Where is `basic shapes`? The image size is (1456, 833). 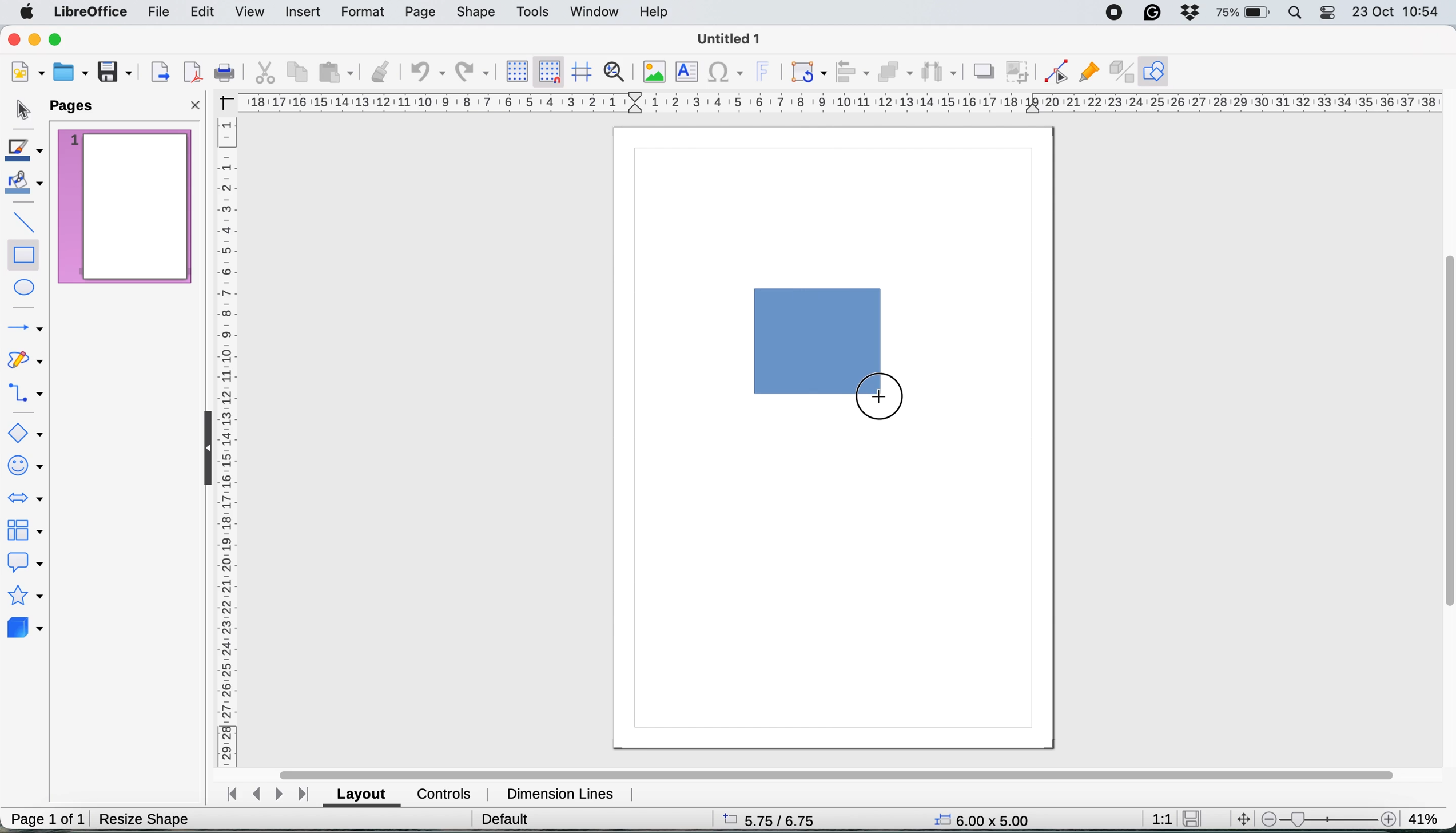 basic shapes is located at coordinates (27, 431).